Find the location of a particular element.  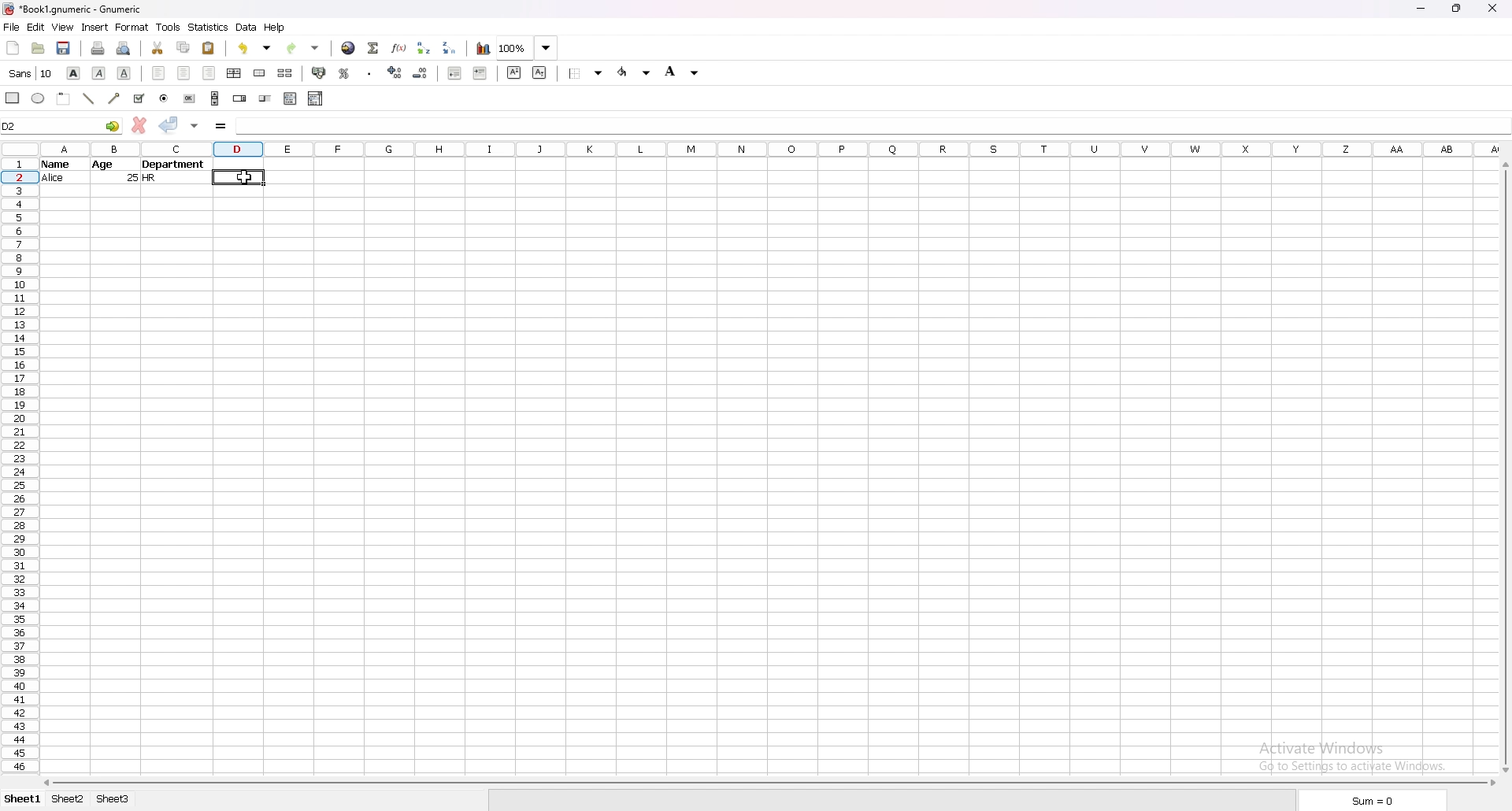

spin button is located at coordinates (240, 100).